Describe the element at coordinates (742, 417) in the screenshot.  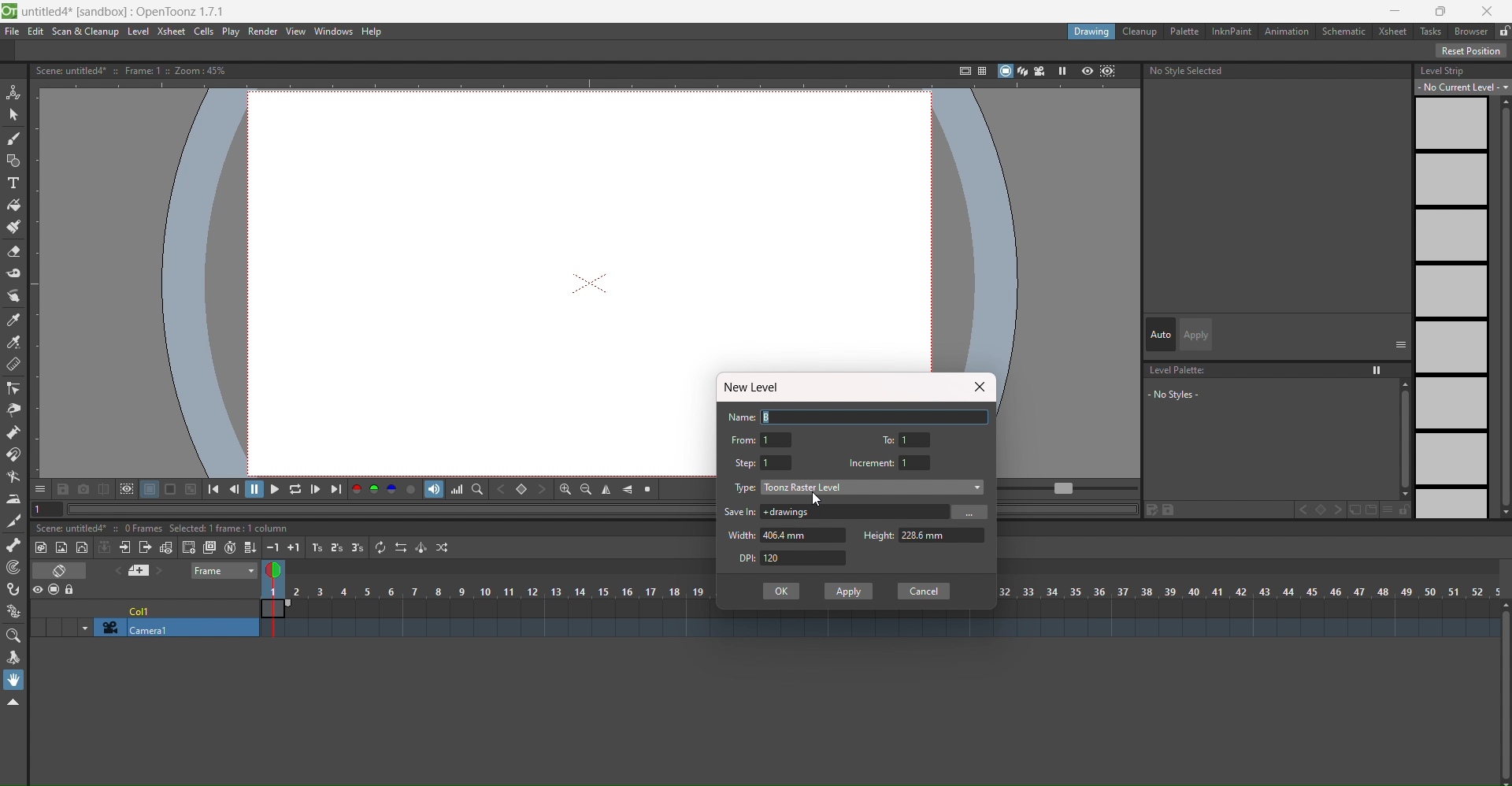
I see `name` at that location.